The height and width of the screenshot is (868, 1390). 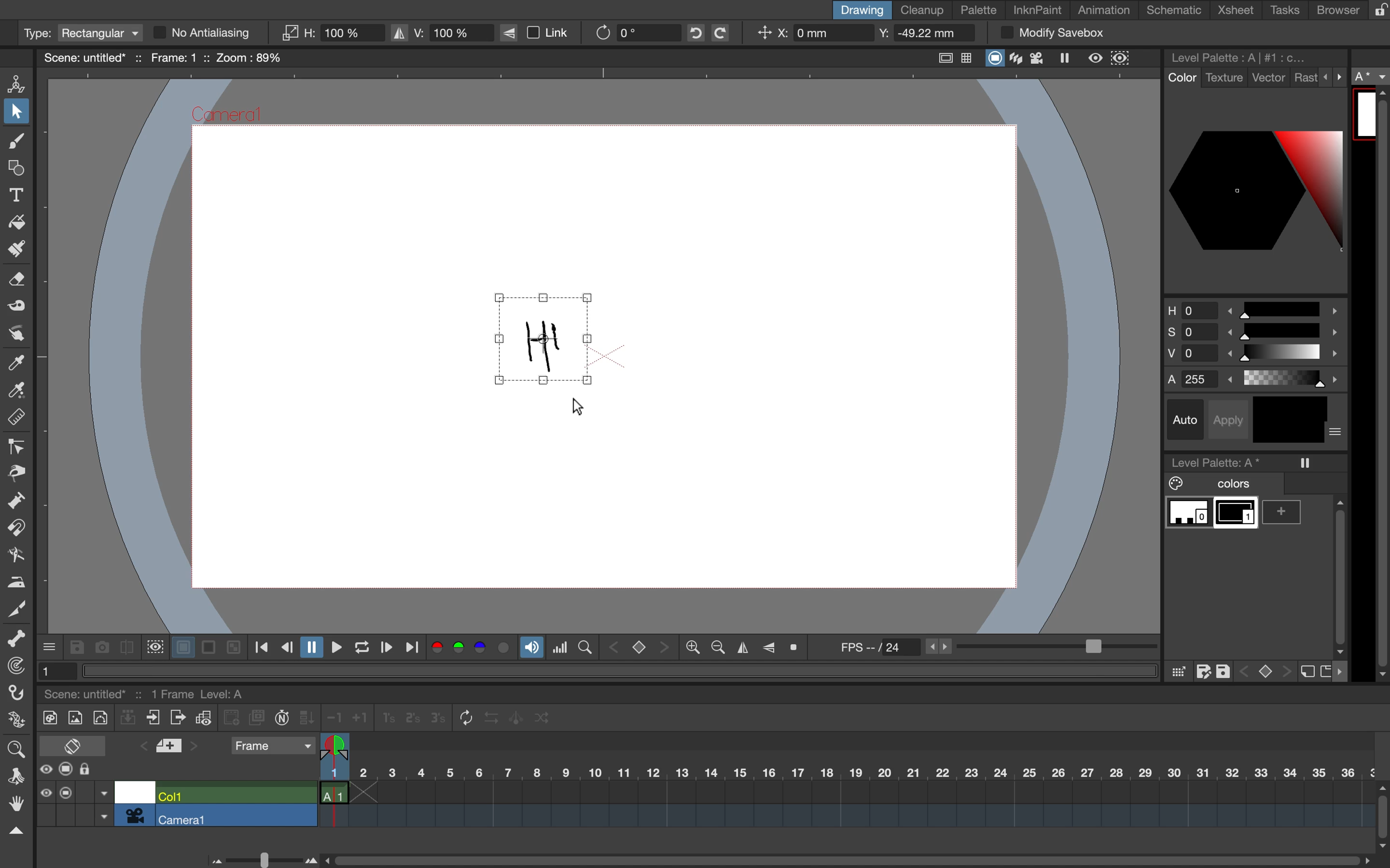 What do you see at coordinates (1269, 79) in the screenshot?
I see `vector` at bounding box center [1269, 79].